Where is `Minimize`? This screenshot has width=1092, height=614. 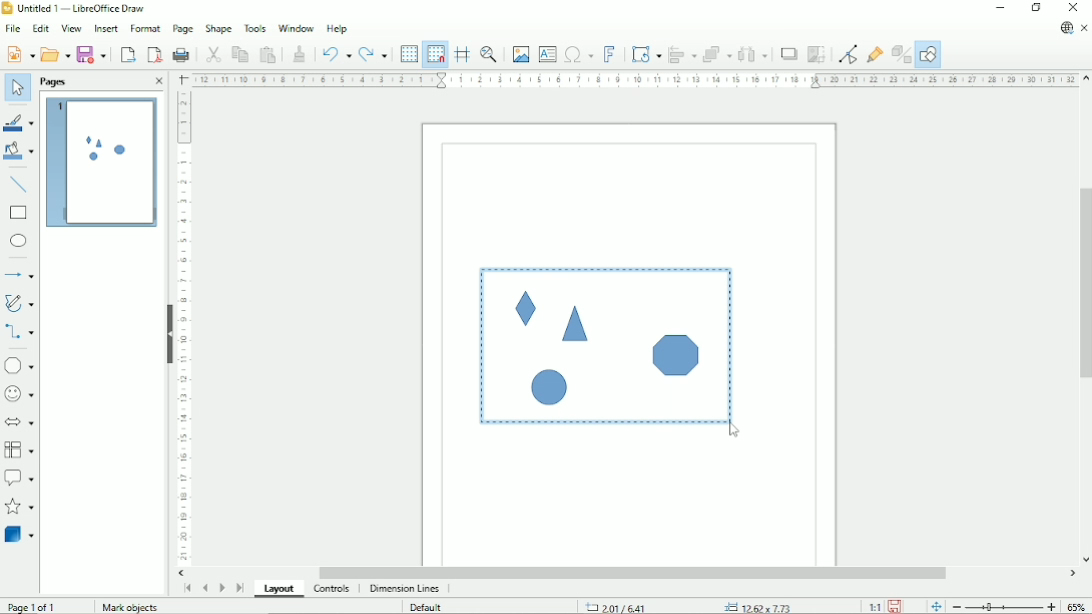 Minimize is located at coordinates (1002, 8).